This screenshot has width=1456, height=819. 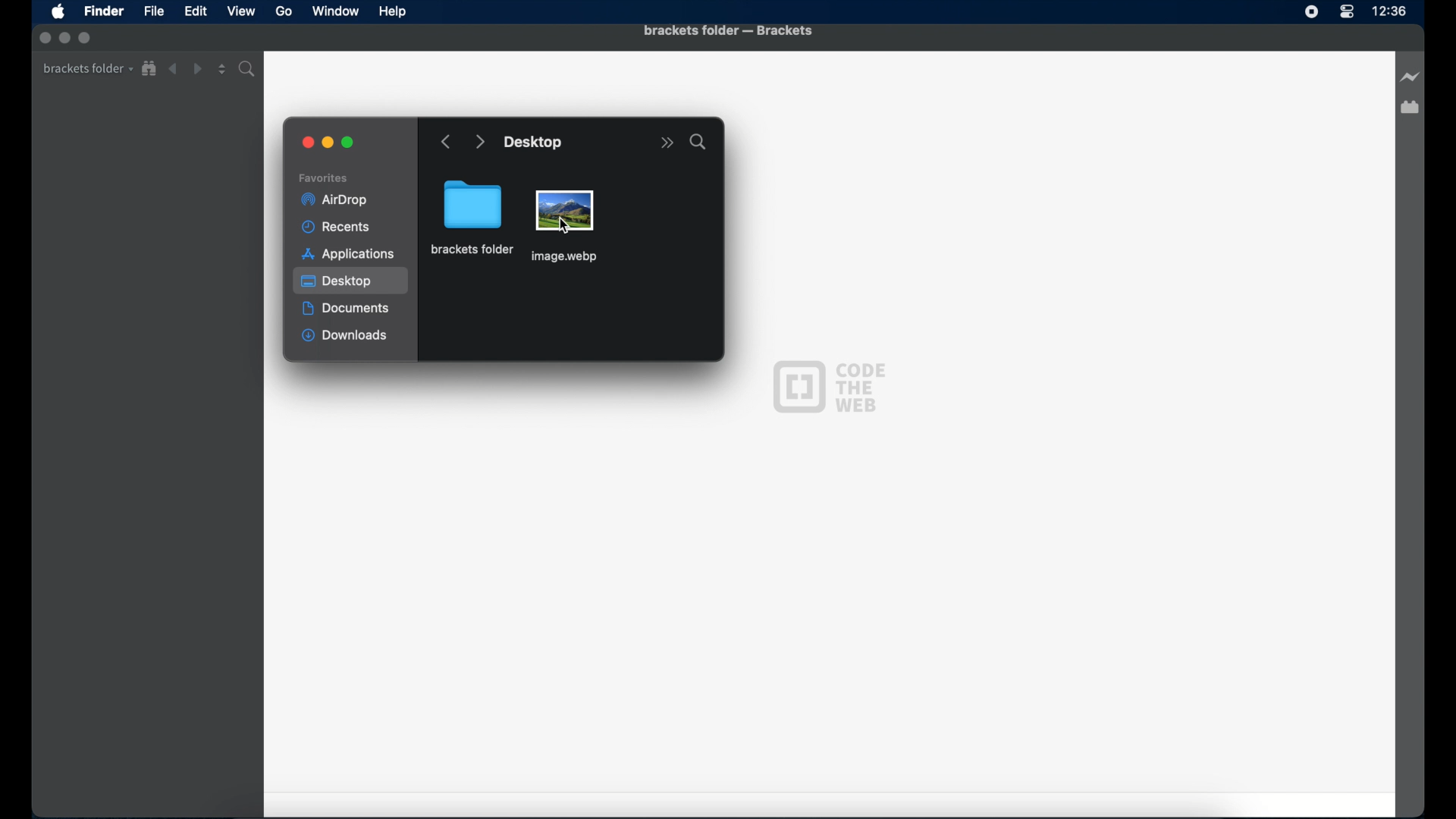 What do you see at coordinates (393, 12) in the screenshot?
I see `Help` at bounding box center [393, 12].